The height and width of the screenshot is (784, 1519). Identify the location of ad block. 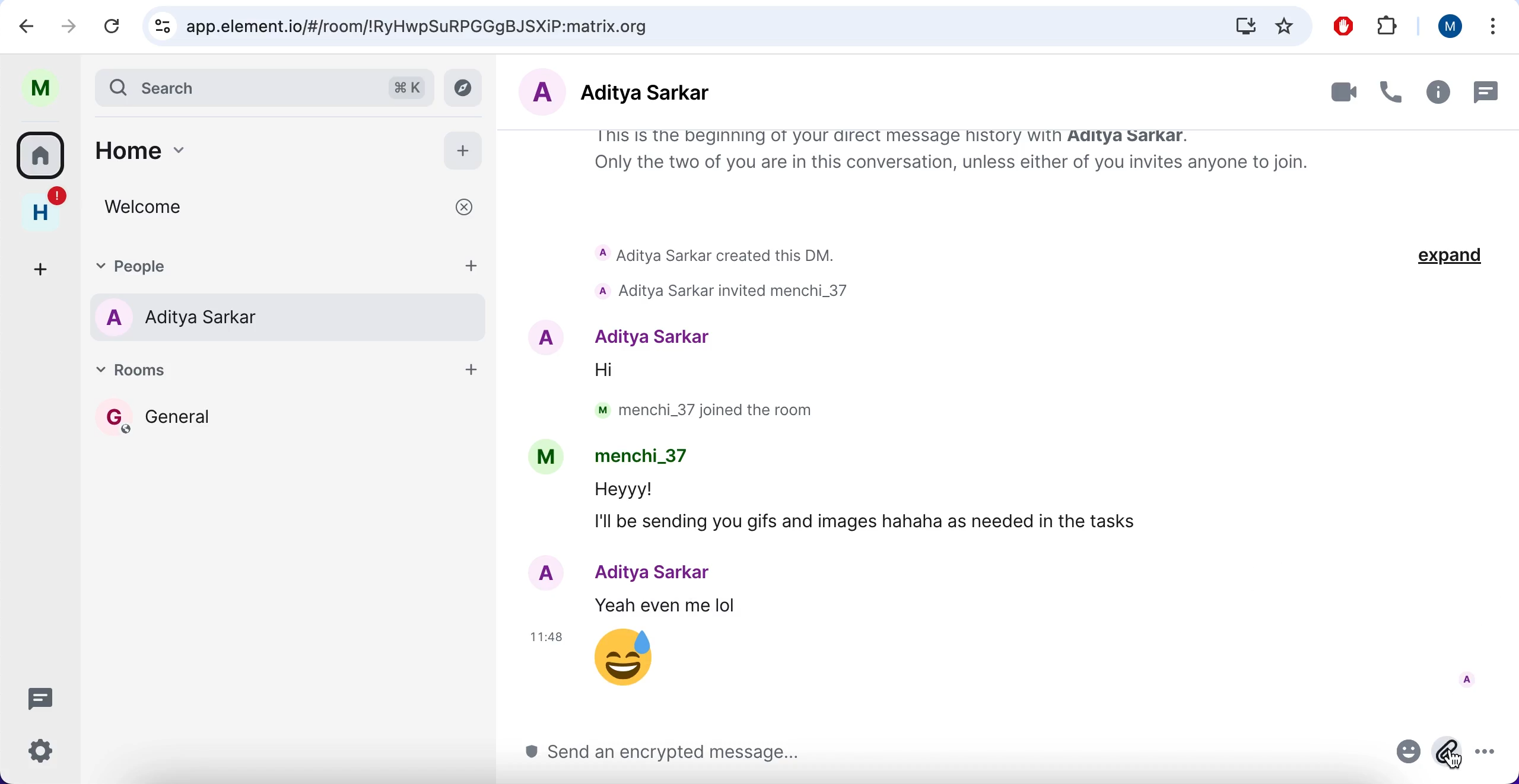
(1342, 27).